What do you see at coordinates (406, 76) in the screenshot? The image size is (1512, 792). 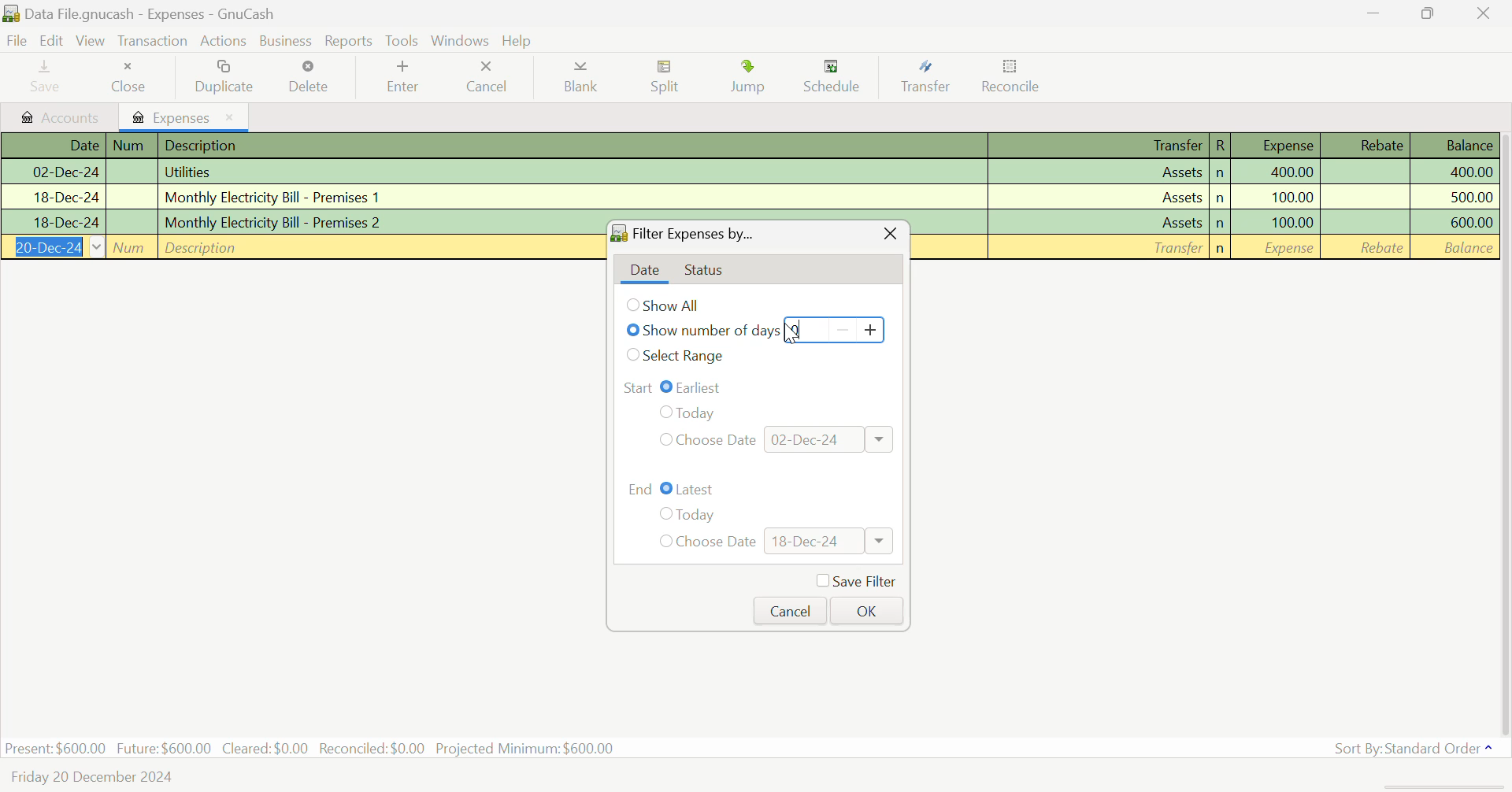 I see `Enter` at bounding box center [406, 76].